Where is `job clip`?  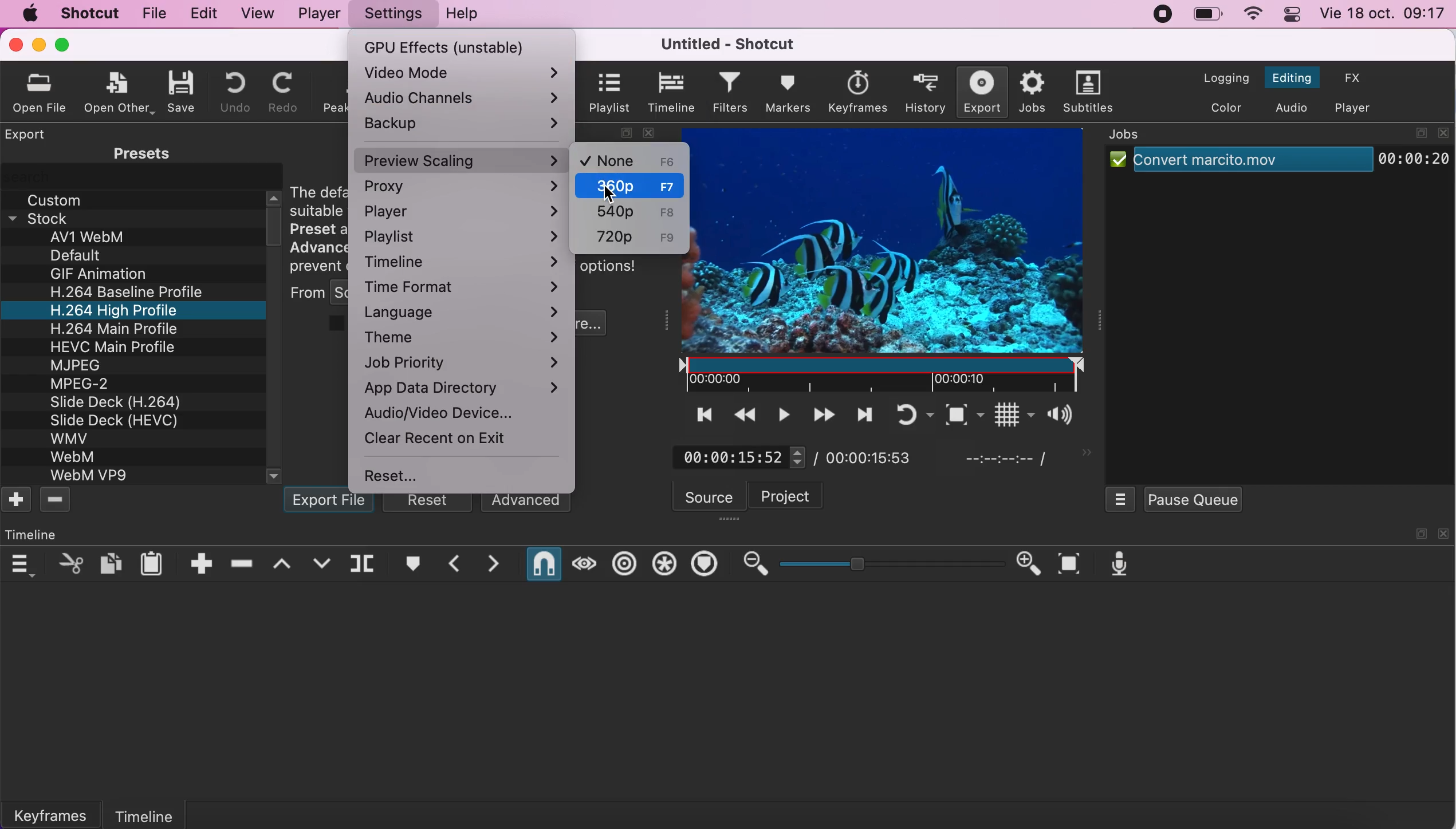
job clip is located at coordinates (1278, 165).